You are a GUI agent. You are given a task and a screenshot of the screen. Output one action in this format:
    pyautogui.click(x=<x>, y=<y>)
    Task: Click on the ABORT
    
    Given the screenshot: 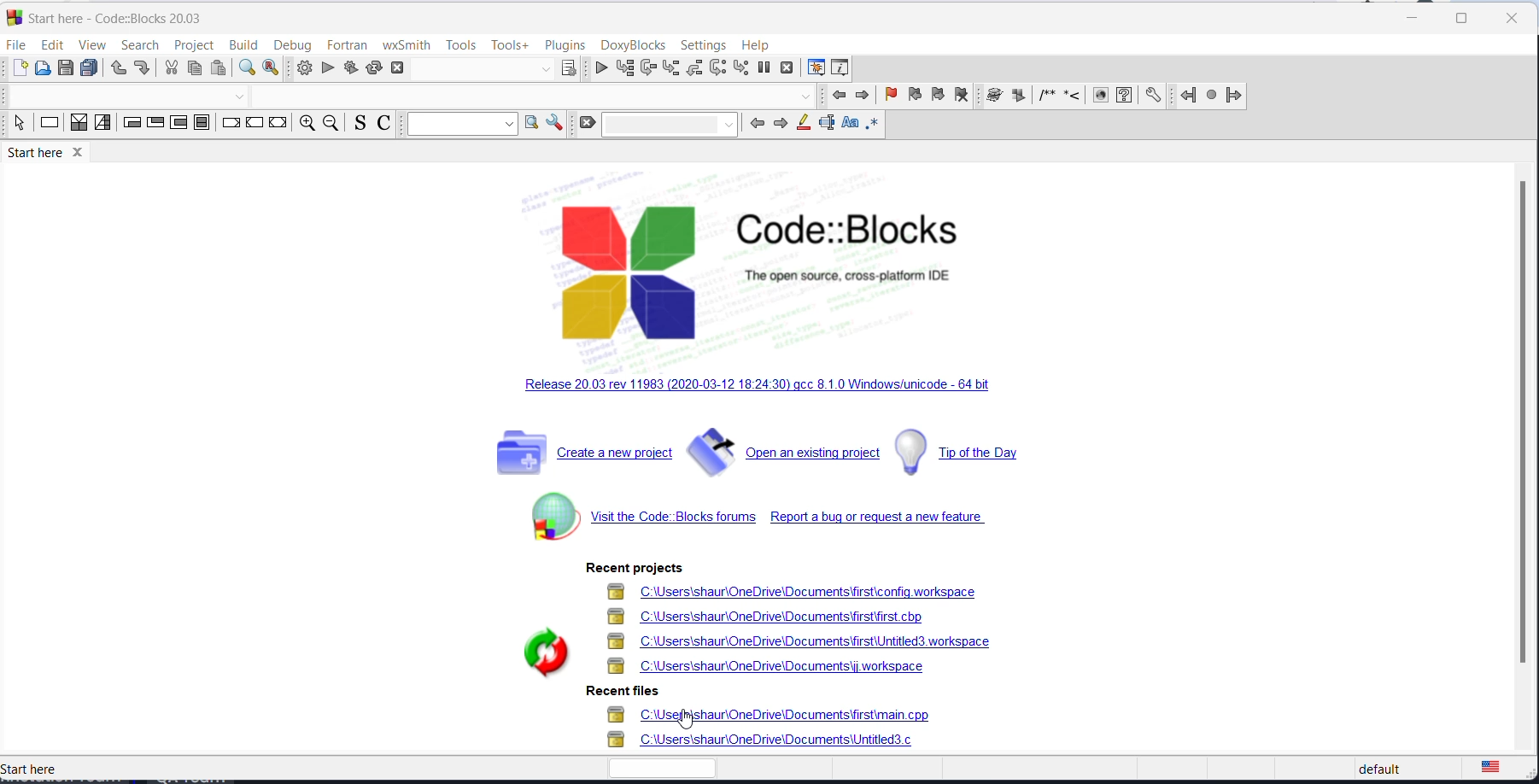 What is the action you would take?
    pyautogui.click(x=404, y=67)
    